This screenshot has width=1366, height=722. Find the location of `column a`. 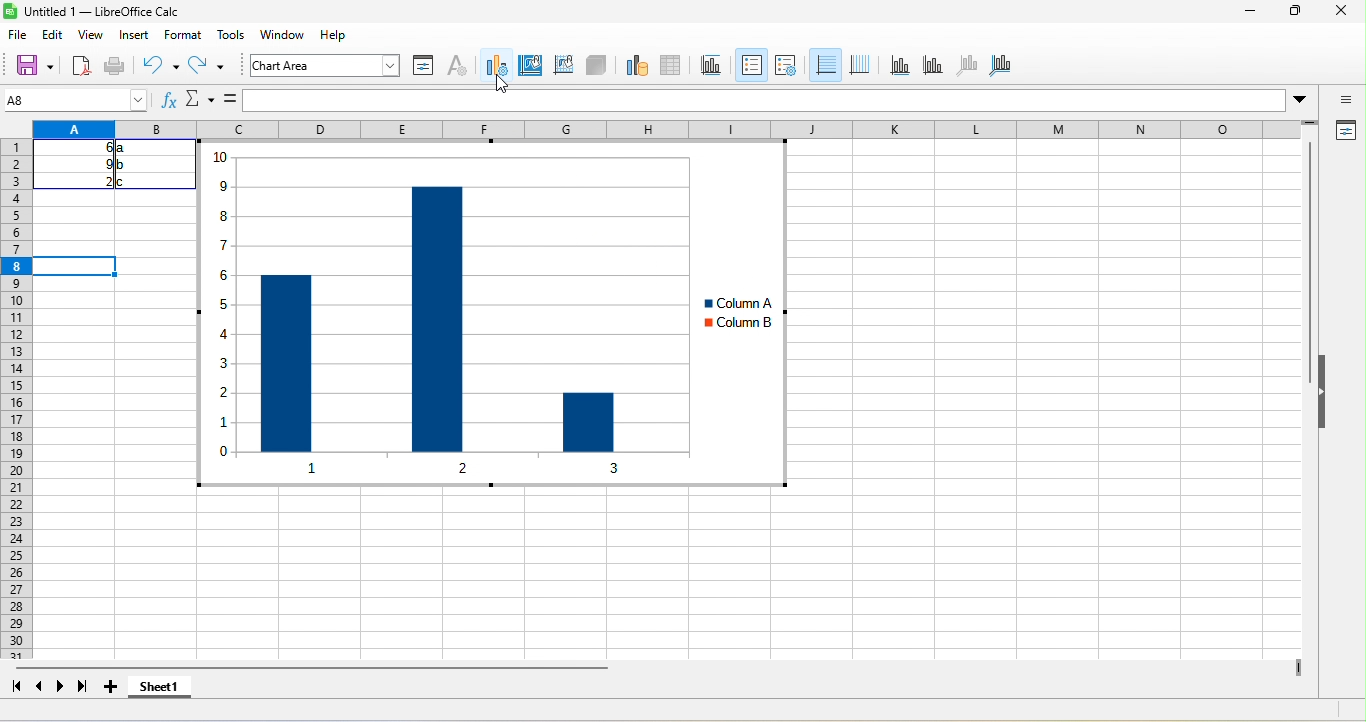

column a is located at coordinates (748, 303).